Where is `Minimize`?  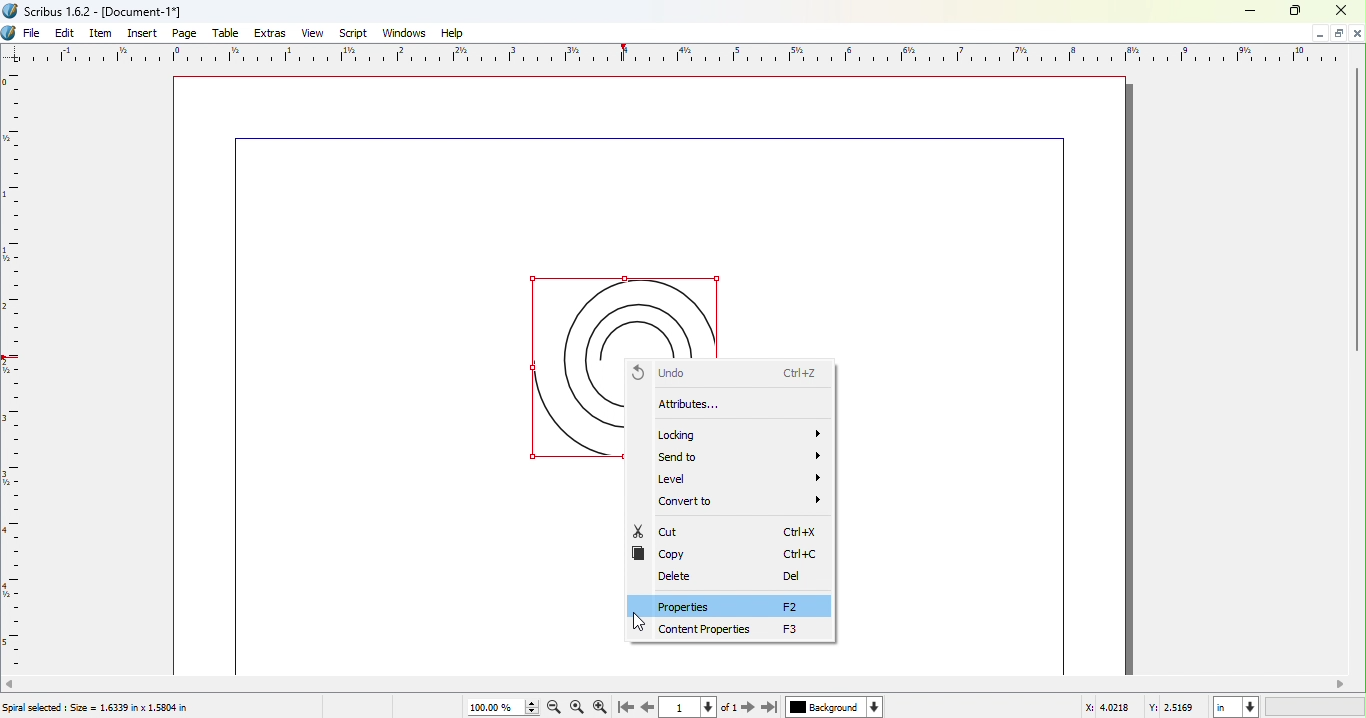
Minimize is located at coordinates (1318, 34).